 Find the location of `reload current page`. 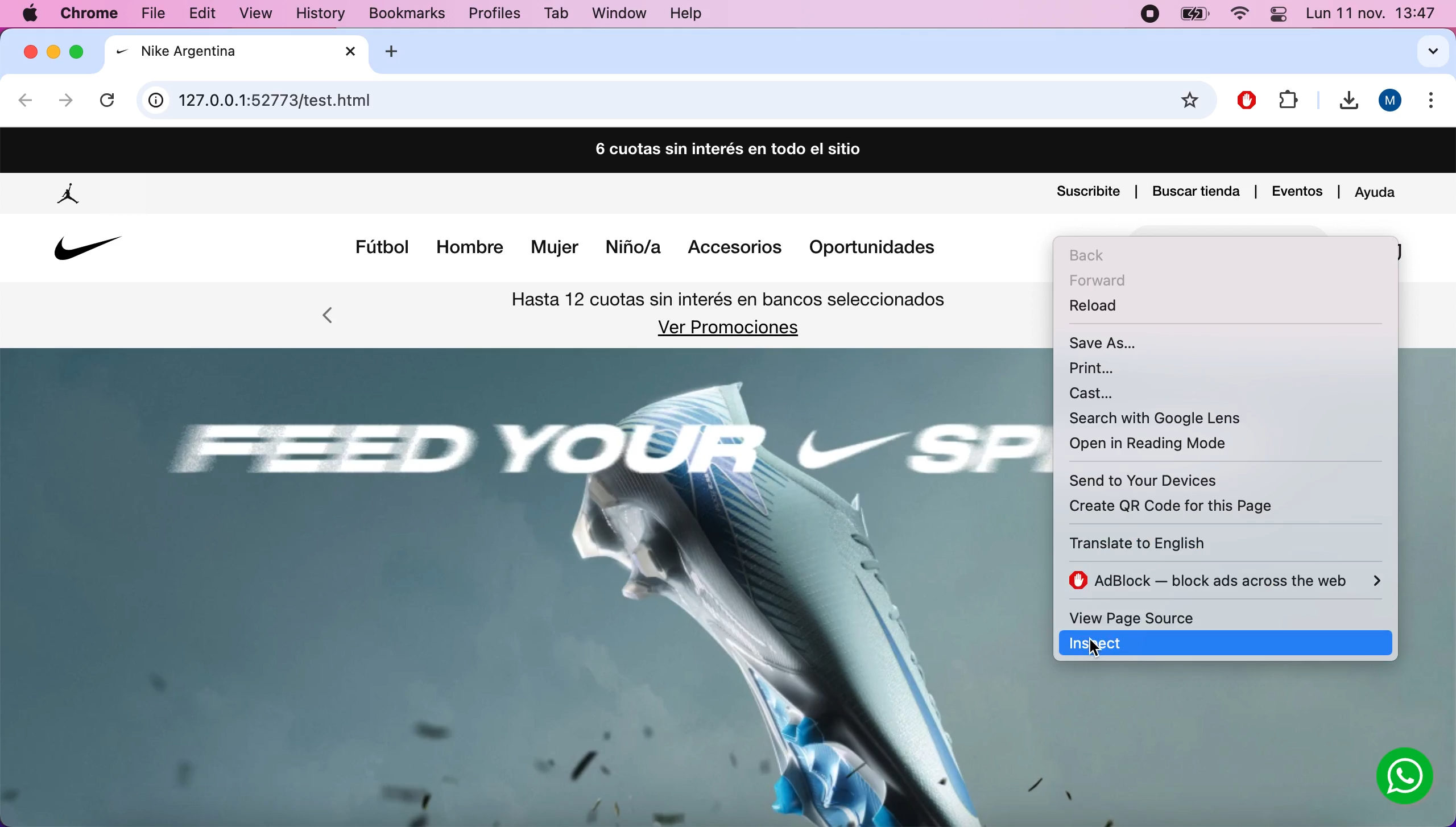

reload current page is located at coordinates (110, 97).